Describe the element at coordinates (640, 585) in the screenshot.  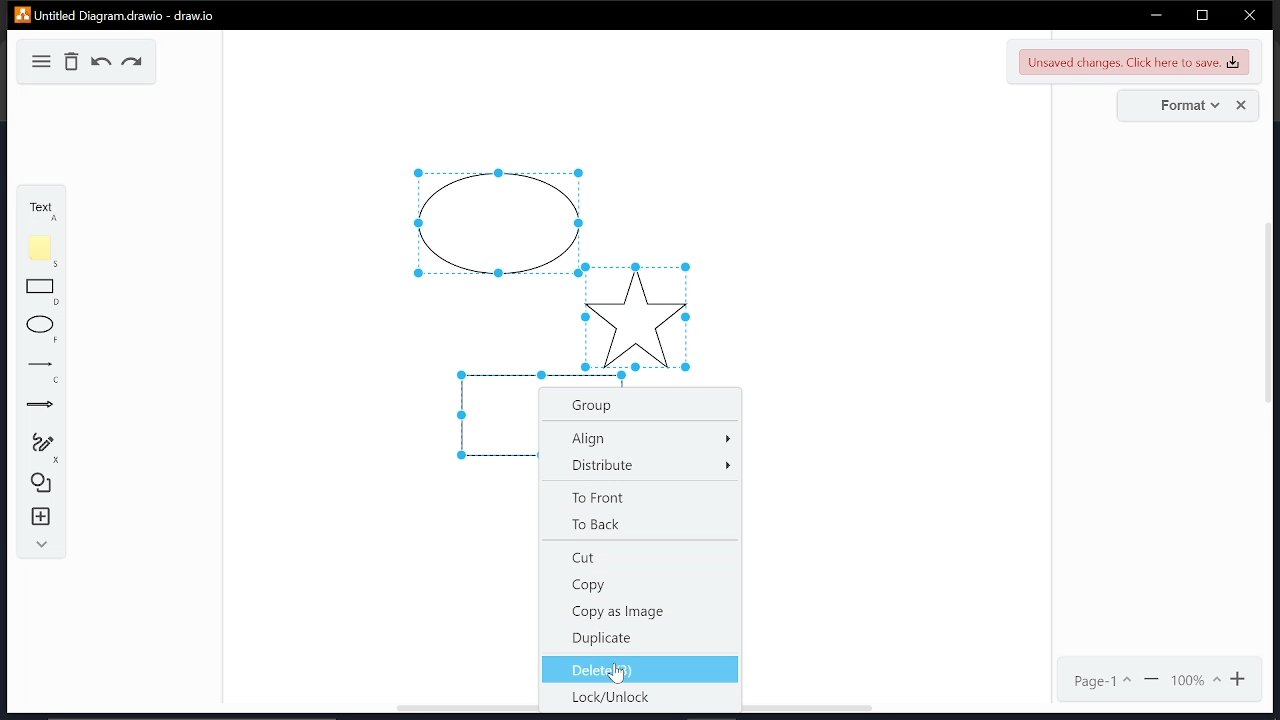
I see `copy` at that location.